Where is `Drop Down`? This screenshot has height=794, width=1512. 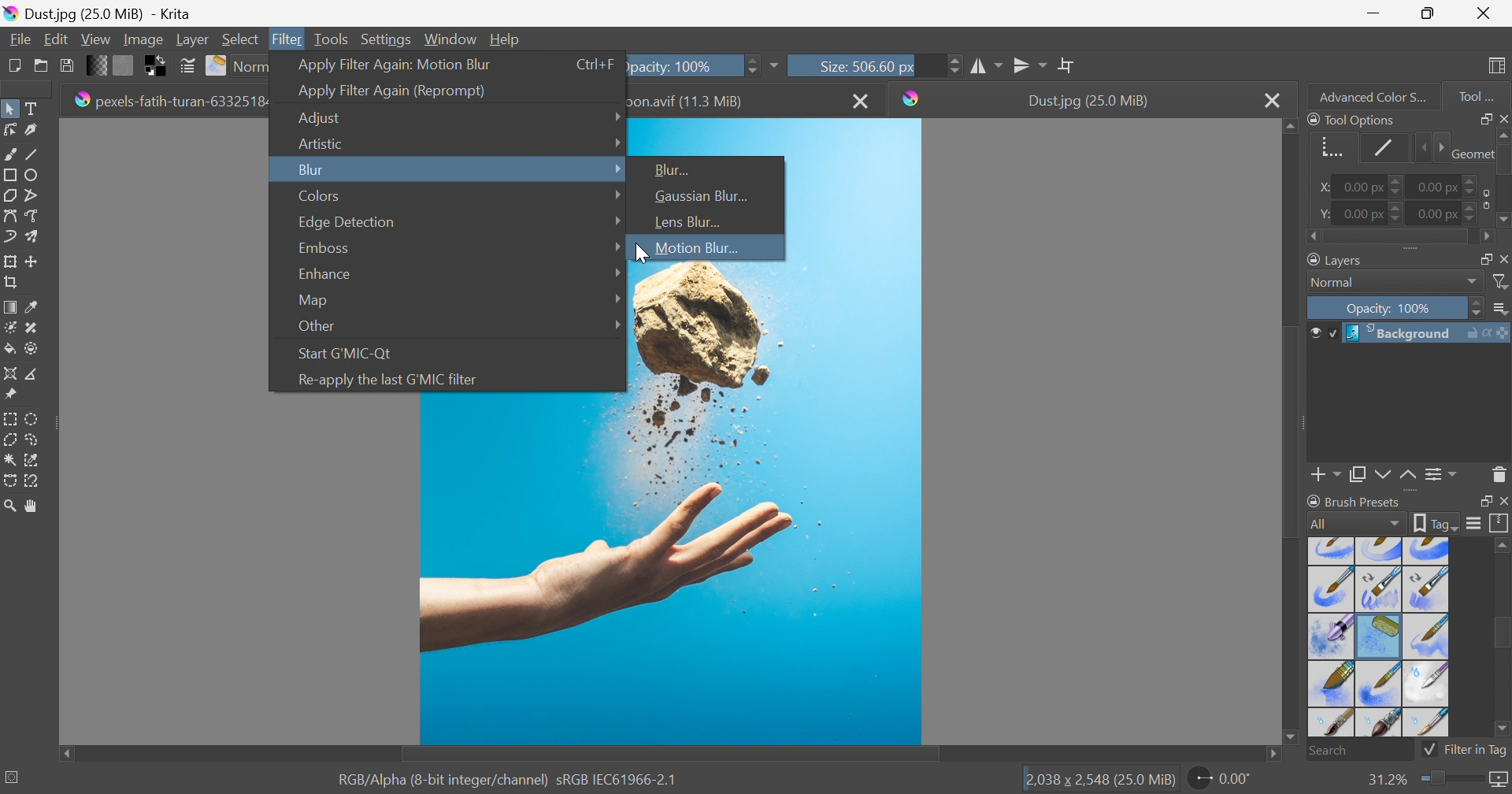 Drop Down is located at coordinates (618, 247).